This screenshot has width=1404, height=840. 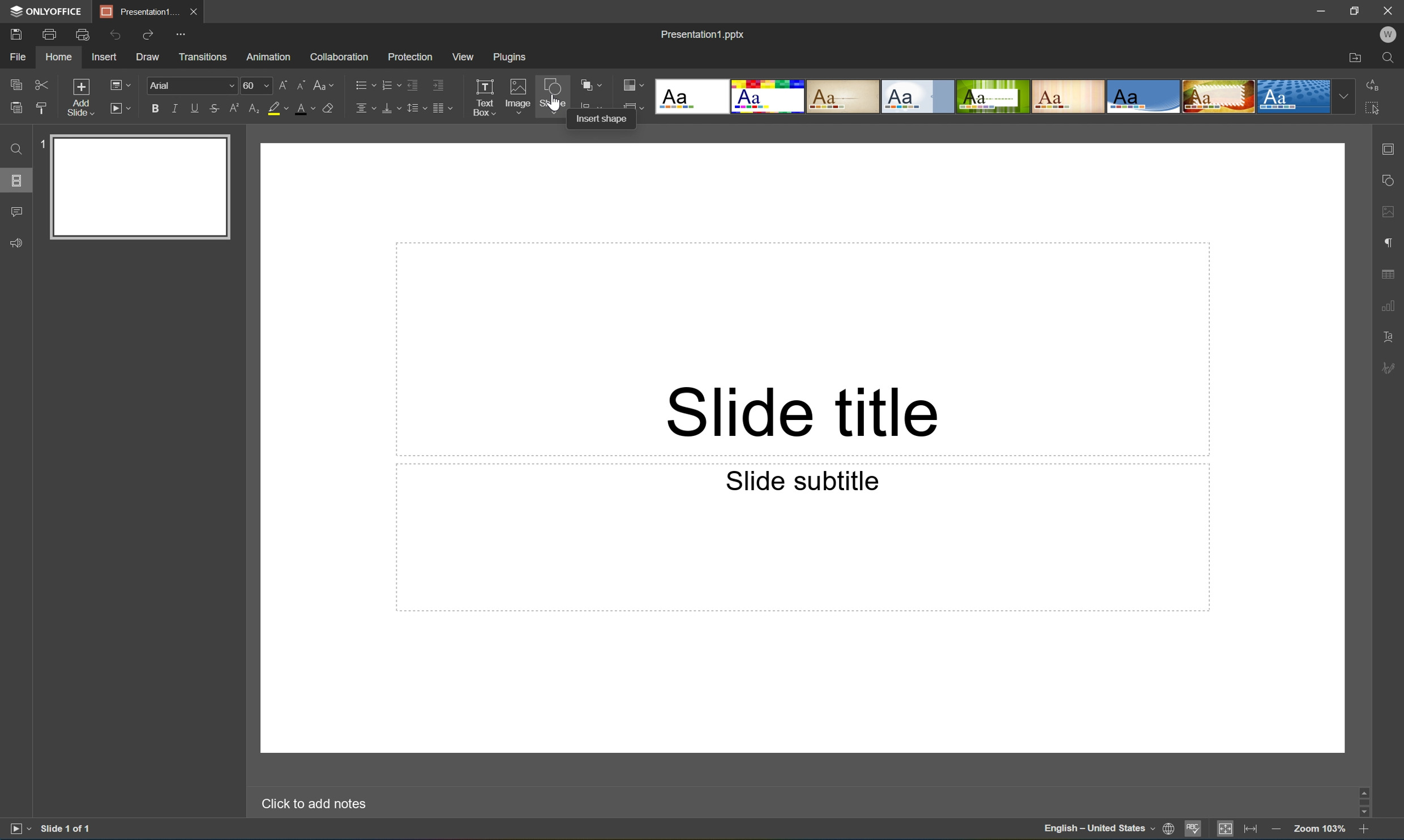 What do you see at coordinates (255, 85) in the screenshot?
I see `60` at bounding box center [255, 85].